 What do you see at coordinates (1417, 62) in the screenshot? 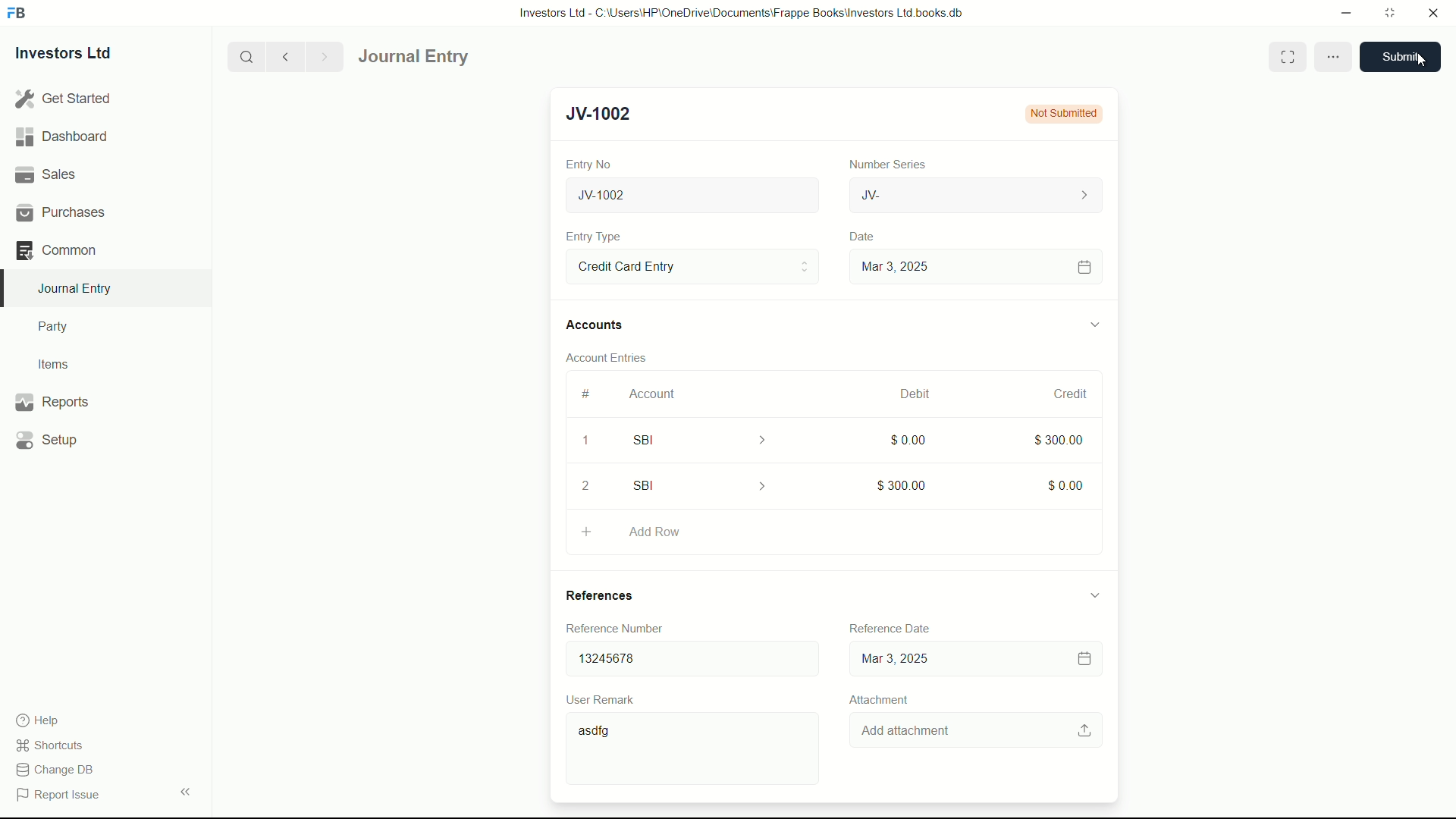
I see `cursor` at bounding box center [1417, 62].